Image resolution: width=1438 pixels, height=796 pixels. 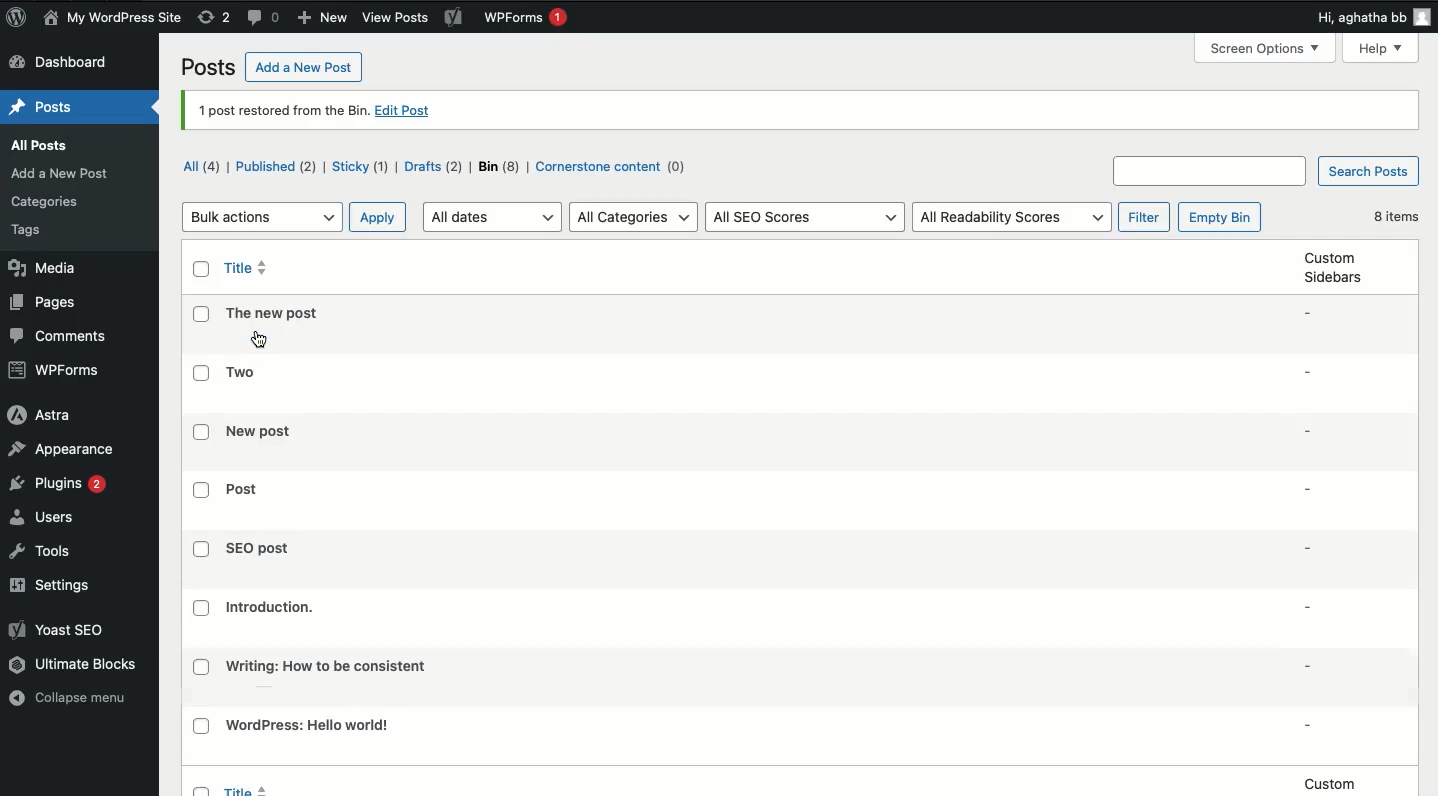 I want to click on apply, so click(x=378, y=217).